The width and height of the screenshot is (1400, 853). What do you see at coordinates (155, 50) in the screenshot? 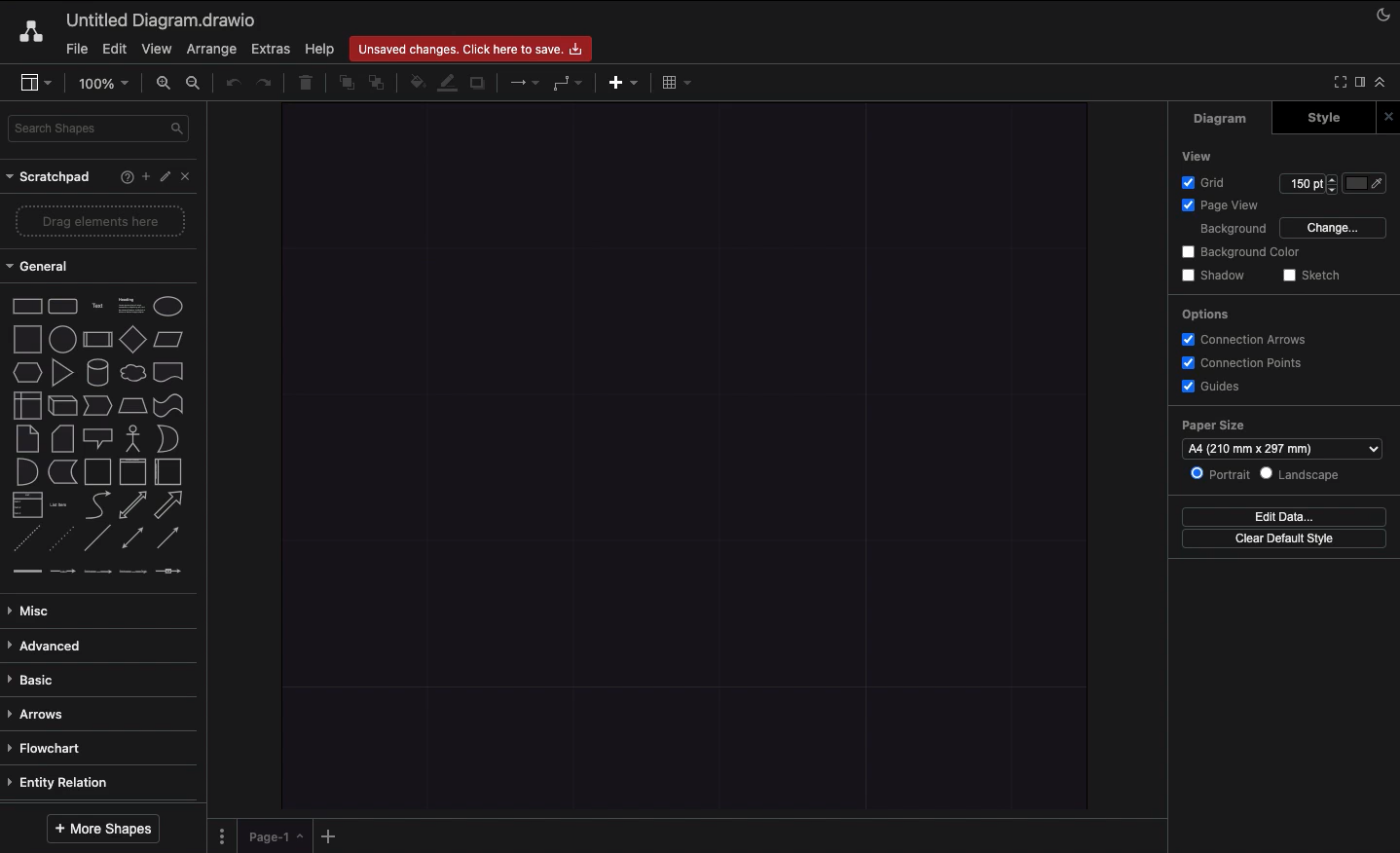
I see `View` at bounding box center [155, 50].